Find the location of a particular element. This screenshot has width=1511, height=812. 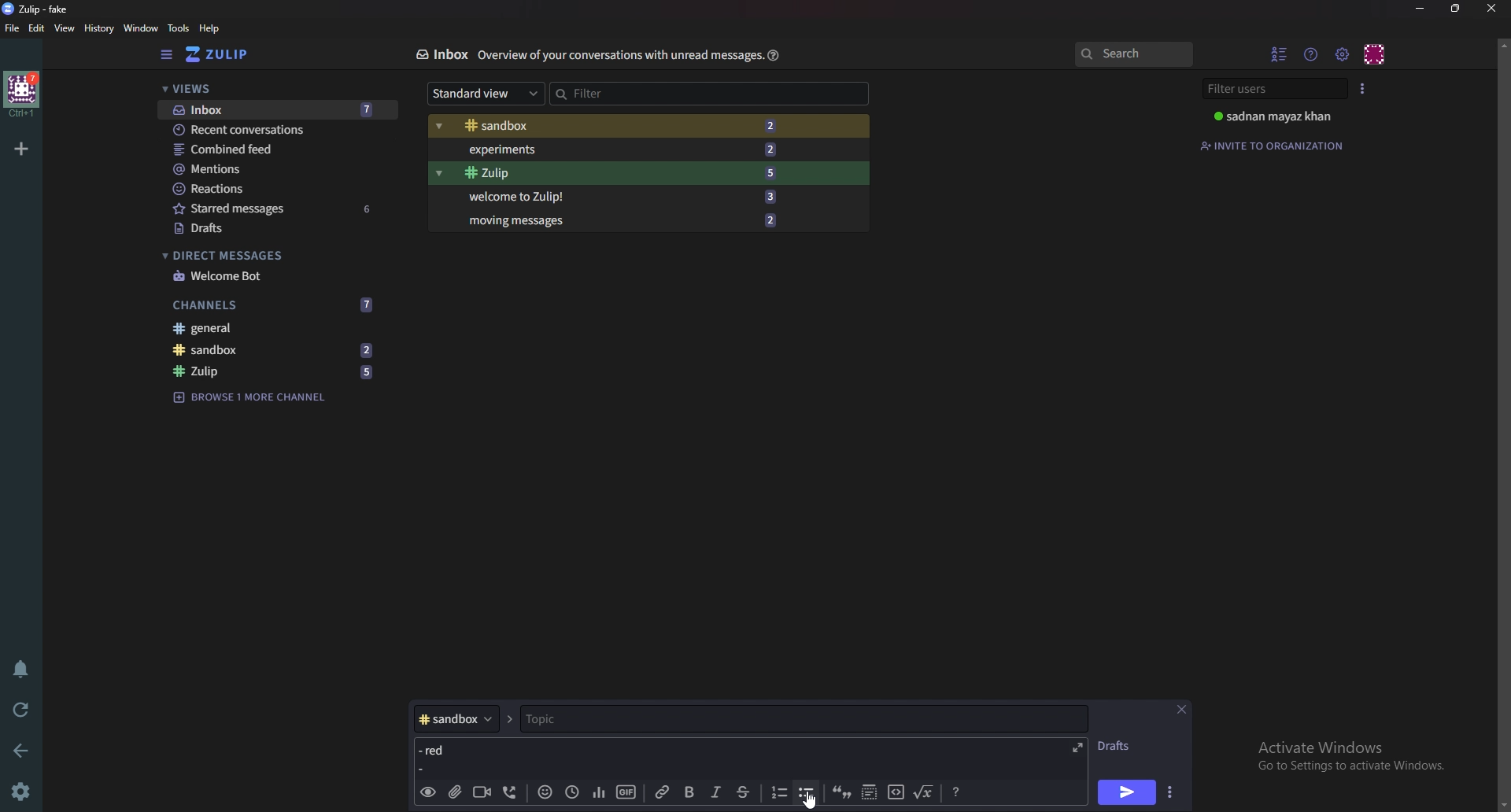

Window is located at coordinates (143, 28).